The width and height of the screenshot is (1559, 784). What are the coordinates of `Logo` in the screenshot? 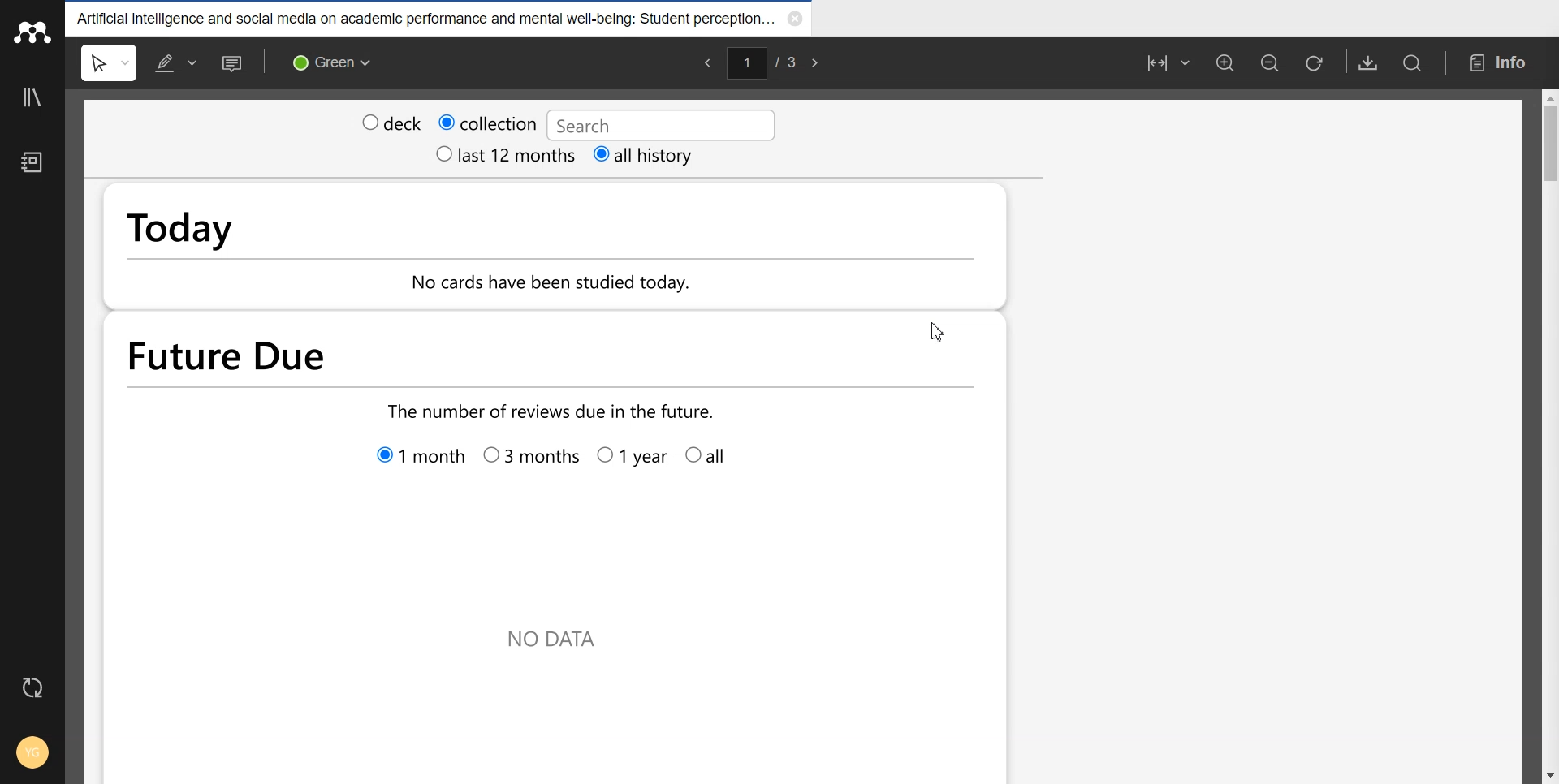 It's located at (32, 32).